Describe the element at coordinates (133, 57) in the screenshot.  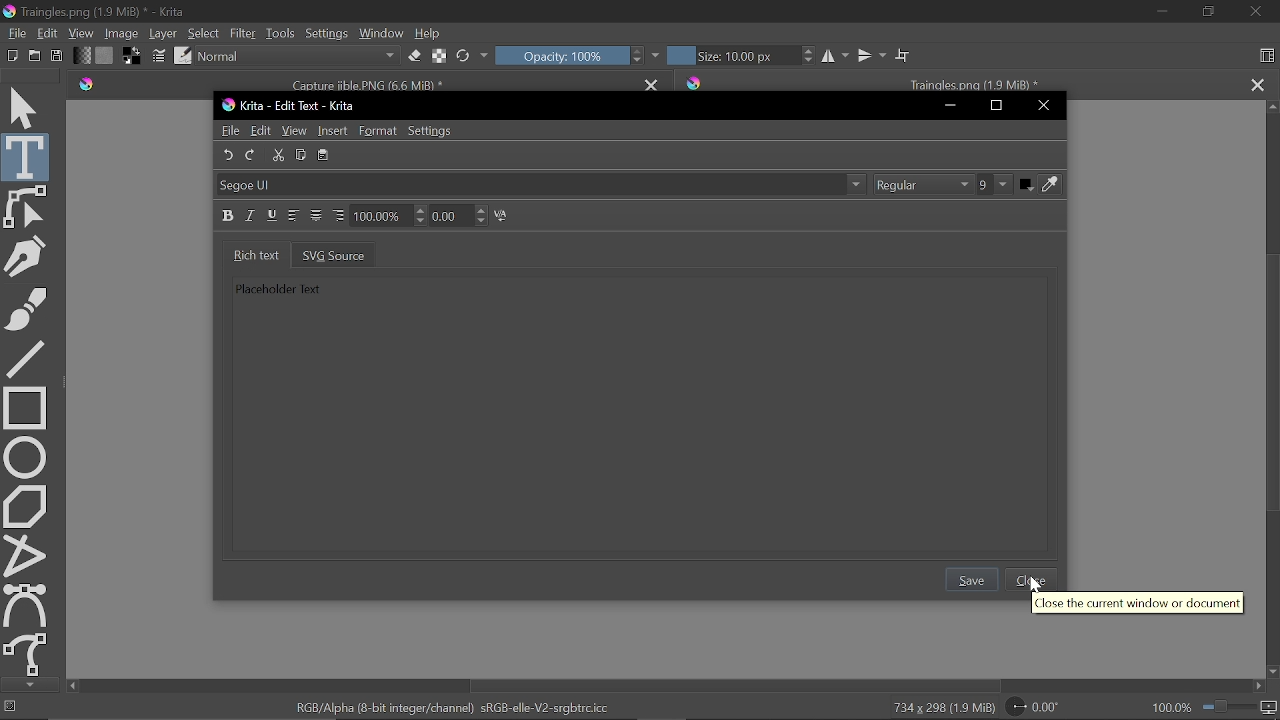
I see `Foreground color` at that location.